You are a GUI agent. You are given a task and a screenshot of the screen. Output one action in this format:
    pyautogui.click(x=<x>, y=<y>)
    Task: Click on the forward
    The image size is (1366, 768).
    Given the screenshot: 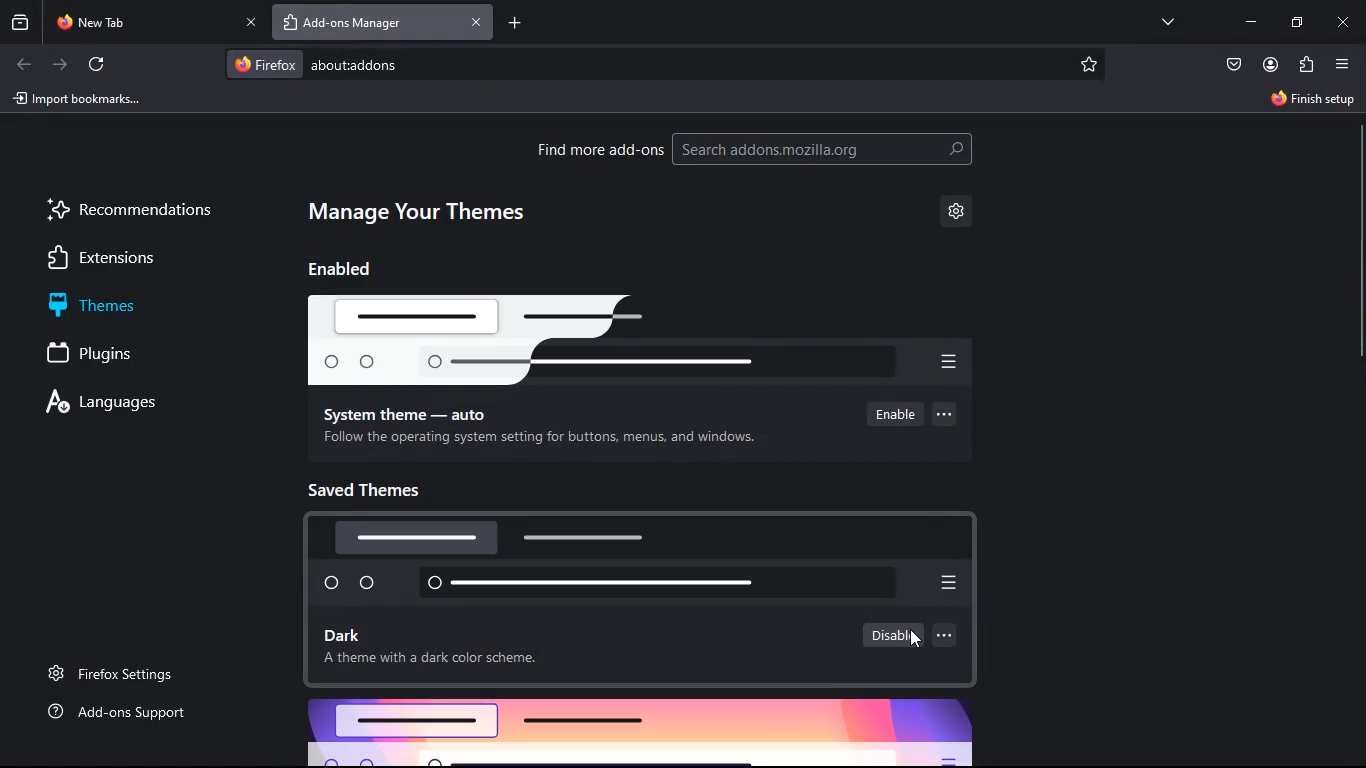 What is the action you would take?
    pyautogui.click(x=59, y=63)
    